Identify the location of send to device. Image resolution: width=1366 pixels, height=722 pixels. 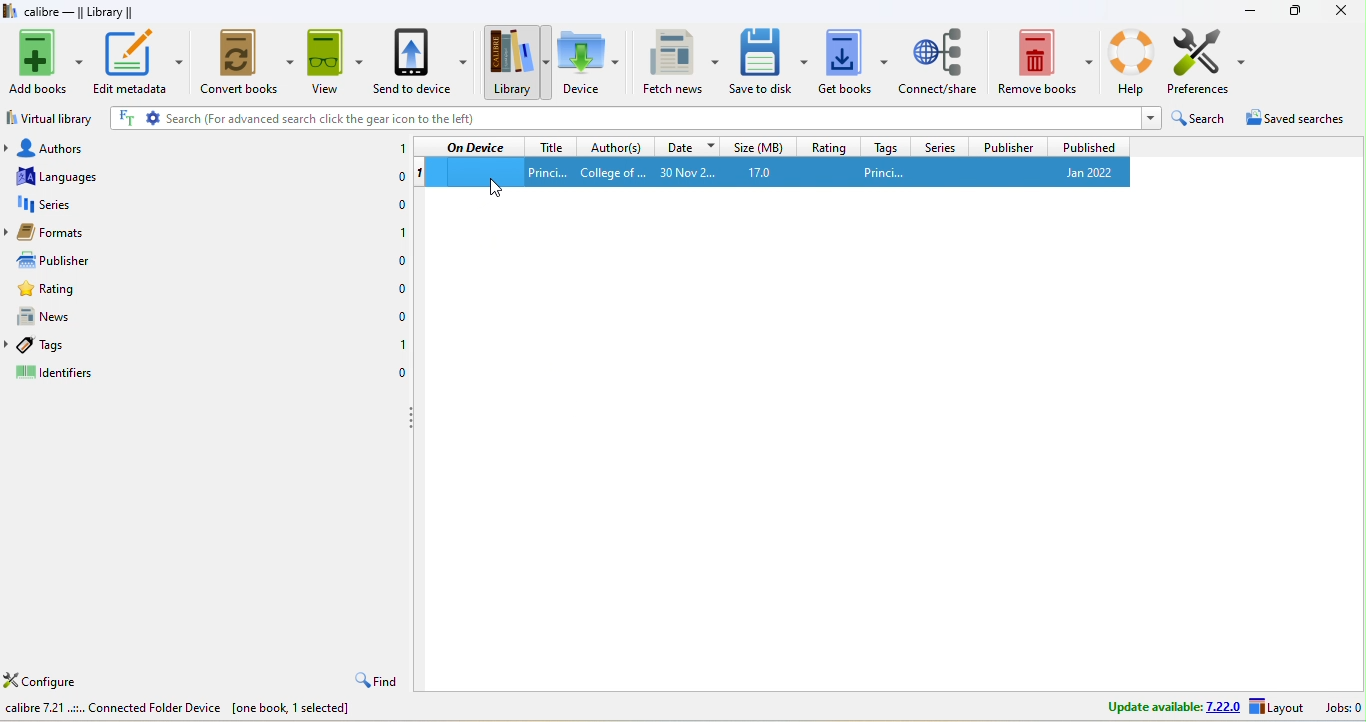
(423, 63).